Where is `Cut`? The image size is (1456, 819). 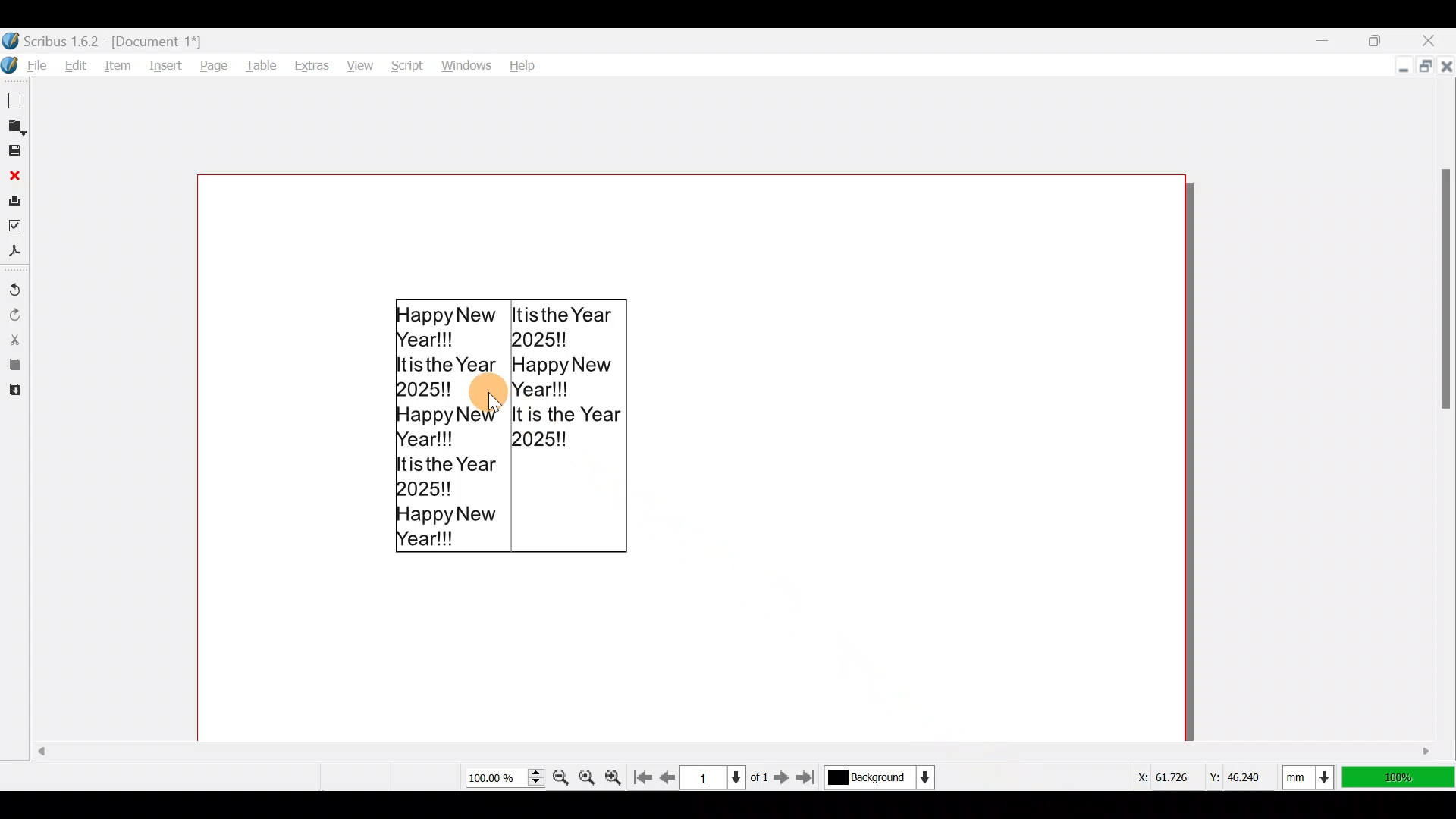 Cut is located at coordinates (14, 338).